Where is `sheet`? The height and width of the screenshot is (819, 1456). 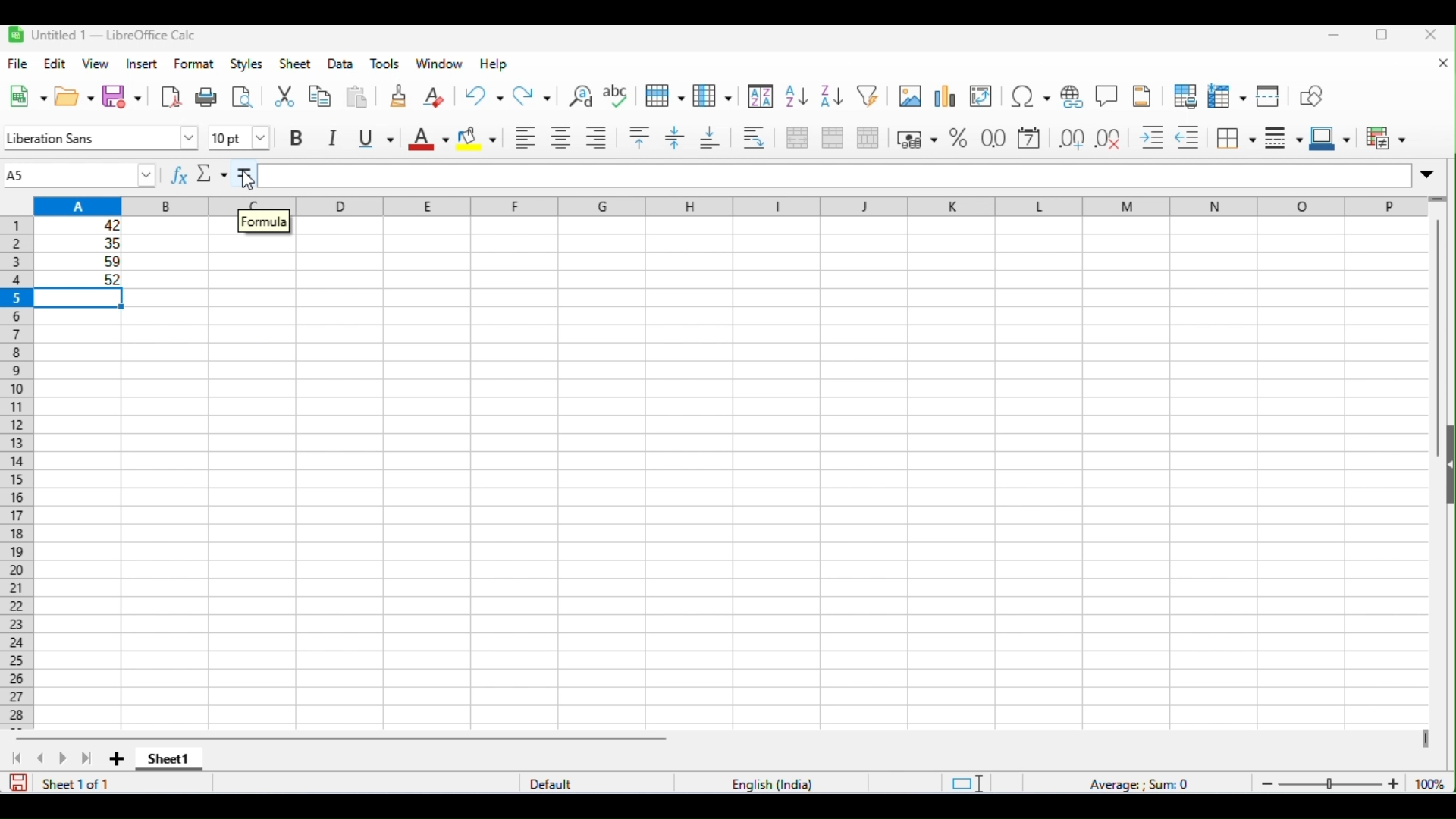 sheet is located at coordinates (294, 64).